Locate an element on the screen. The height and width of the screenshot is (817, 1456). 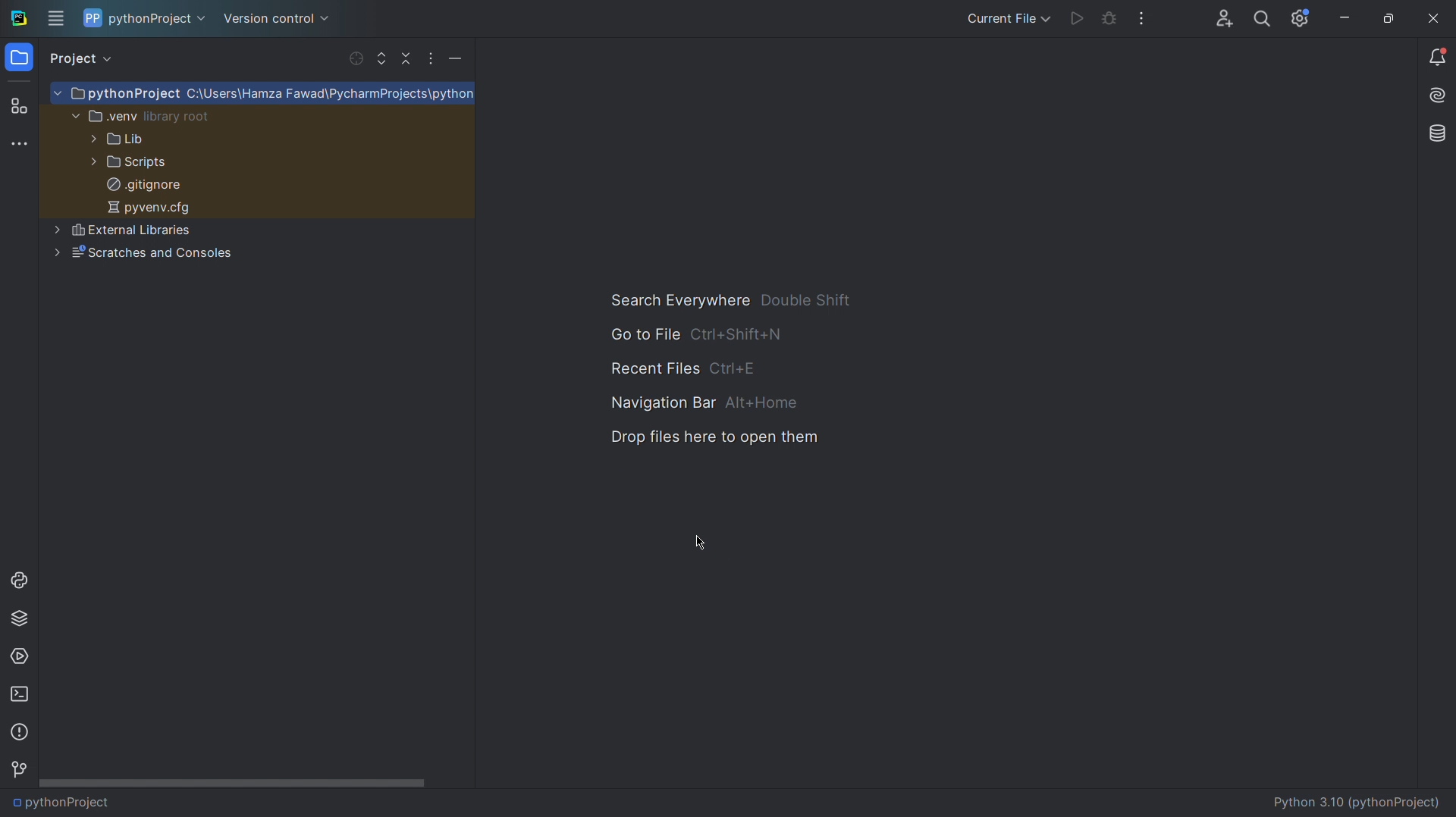
Application Menu is located at coordinates (58, 20).